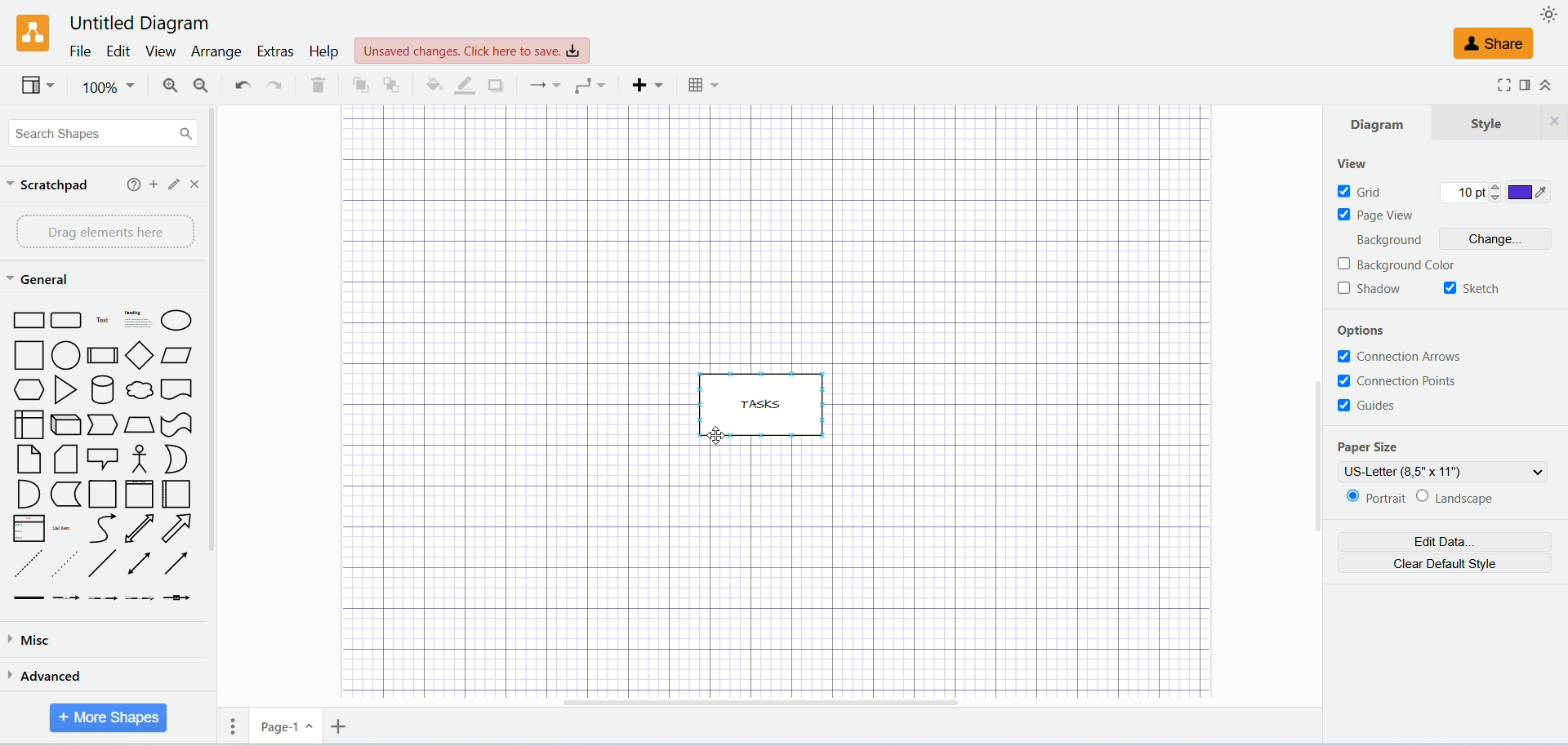  Describe the element at coordinates (1488, 238) in the screenshot. I see `change` at that location.